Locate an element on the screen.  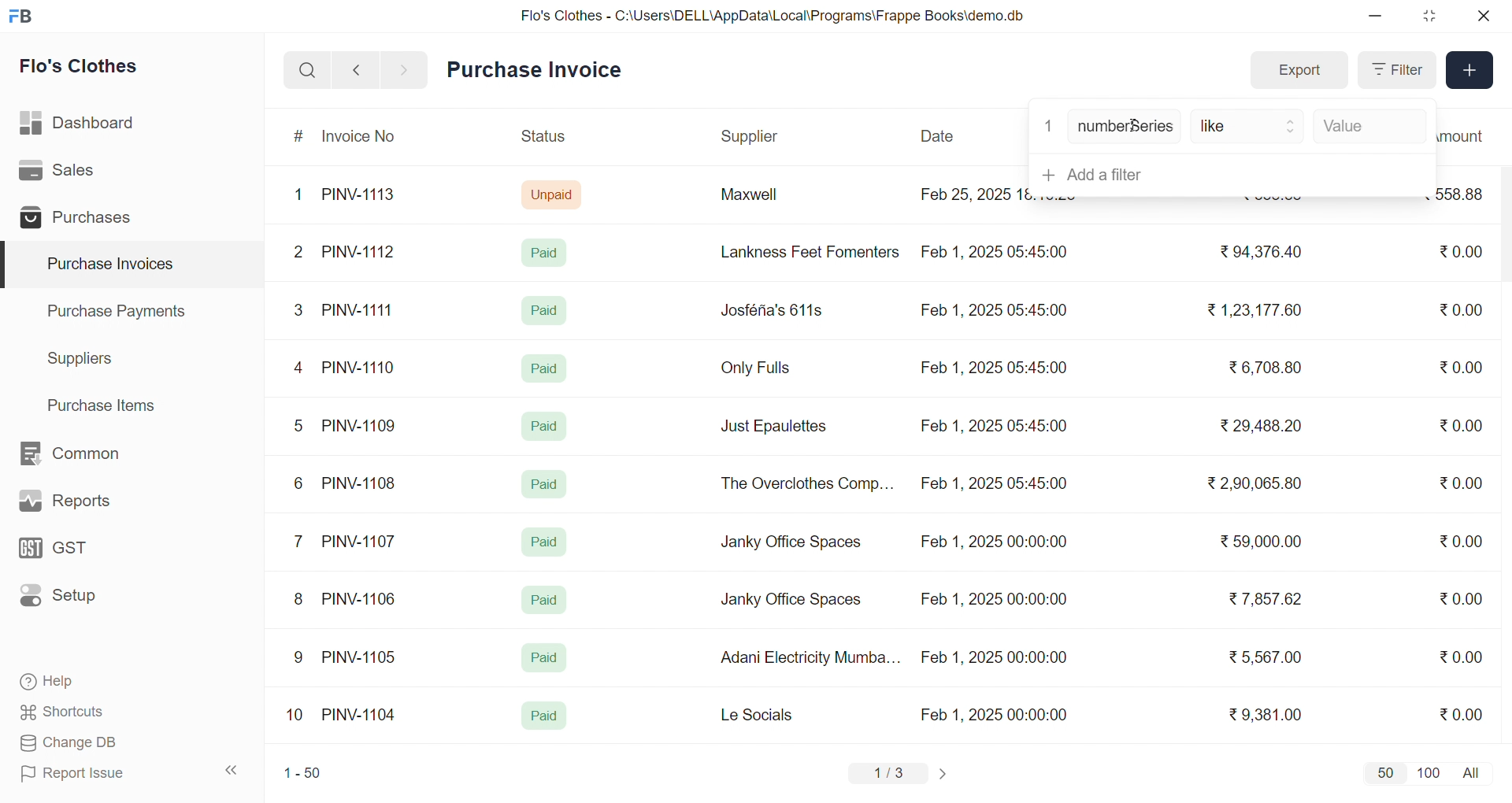
₹0.00 is located at coordinates (1461, 598).